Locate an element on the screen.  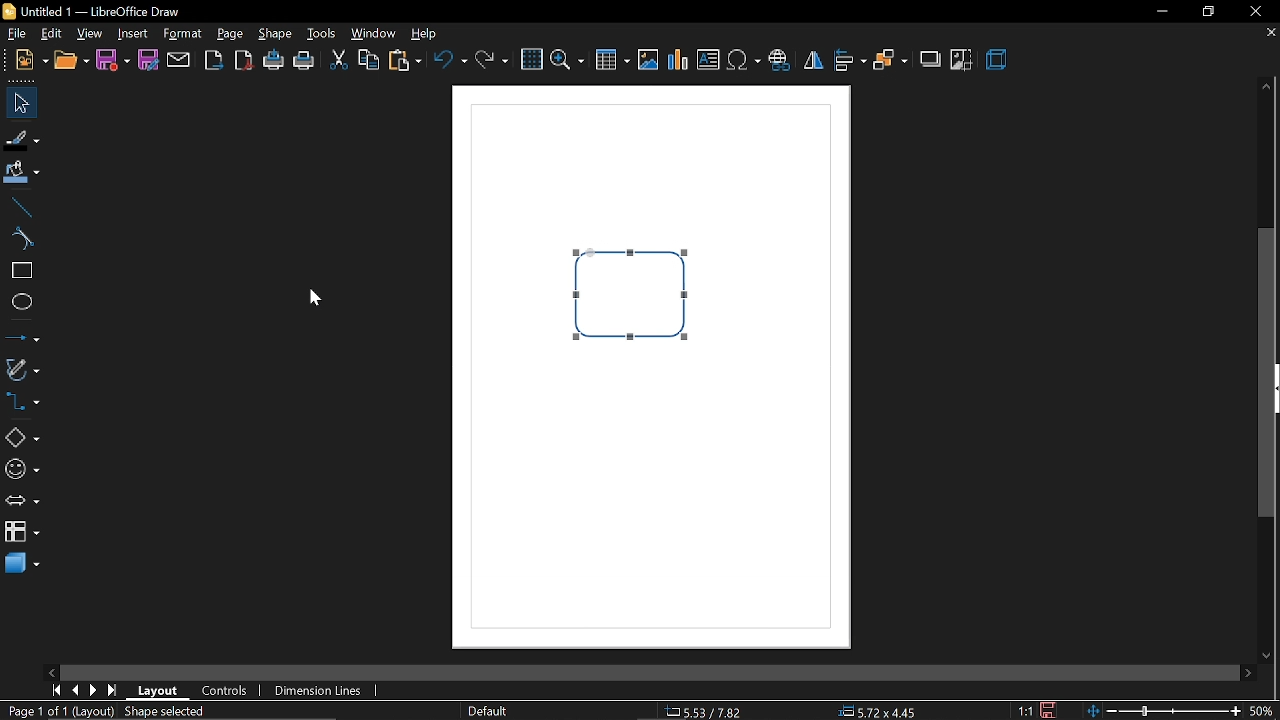
move down is located at coordinates (1270, 657).